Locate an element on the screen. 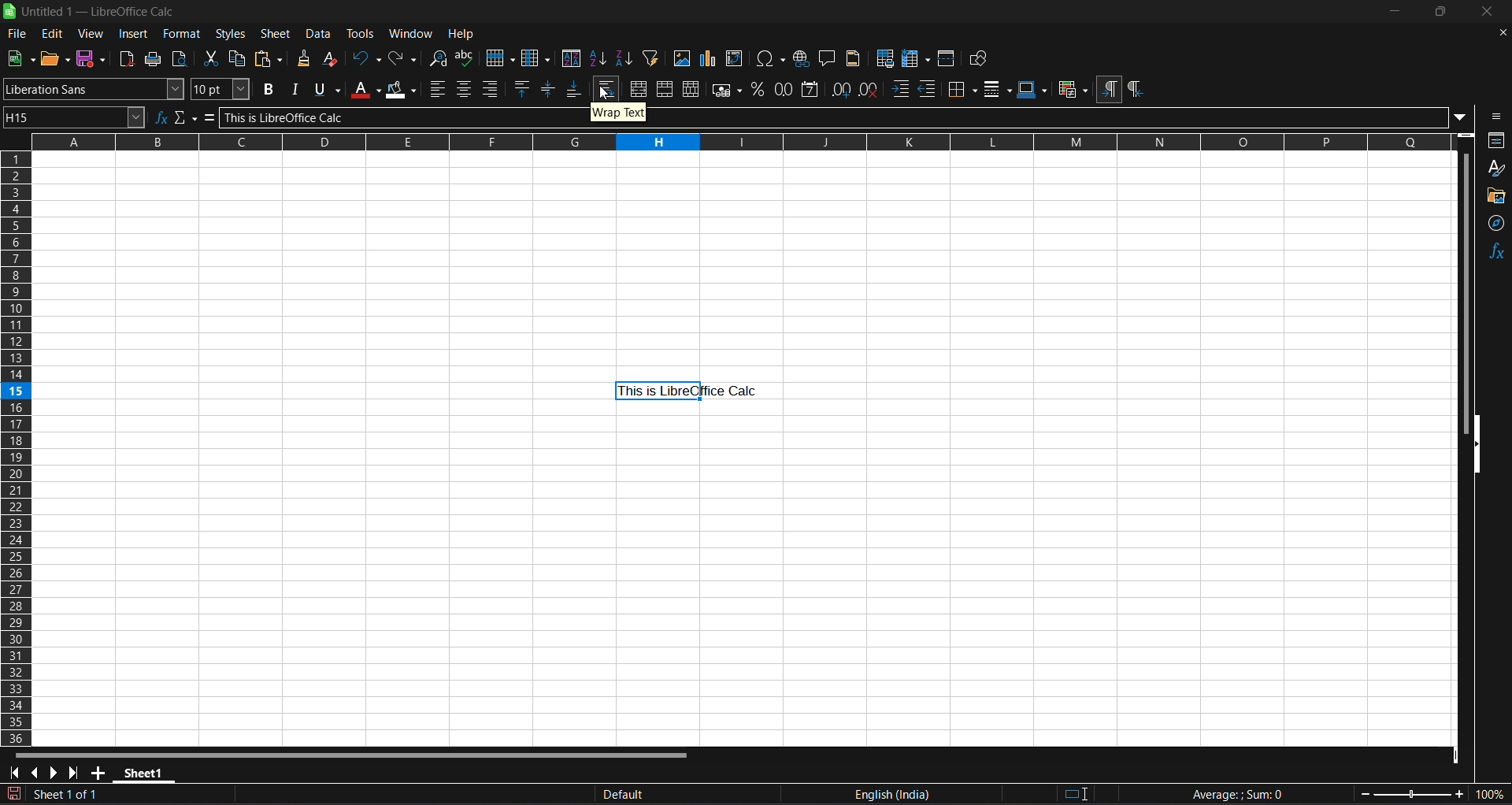 The image size is (1512, 805). toggle print preview is located at coordinates (179, 60).